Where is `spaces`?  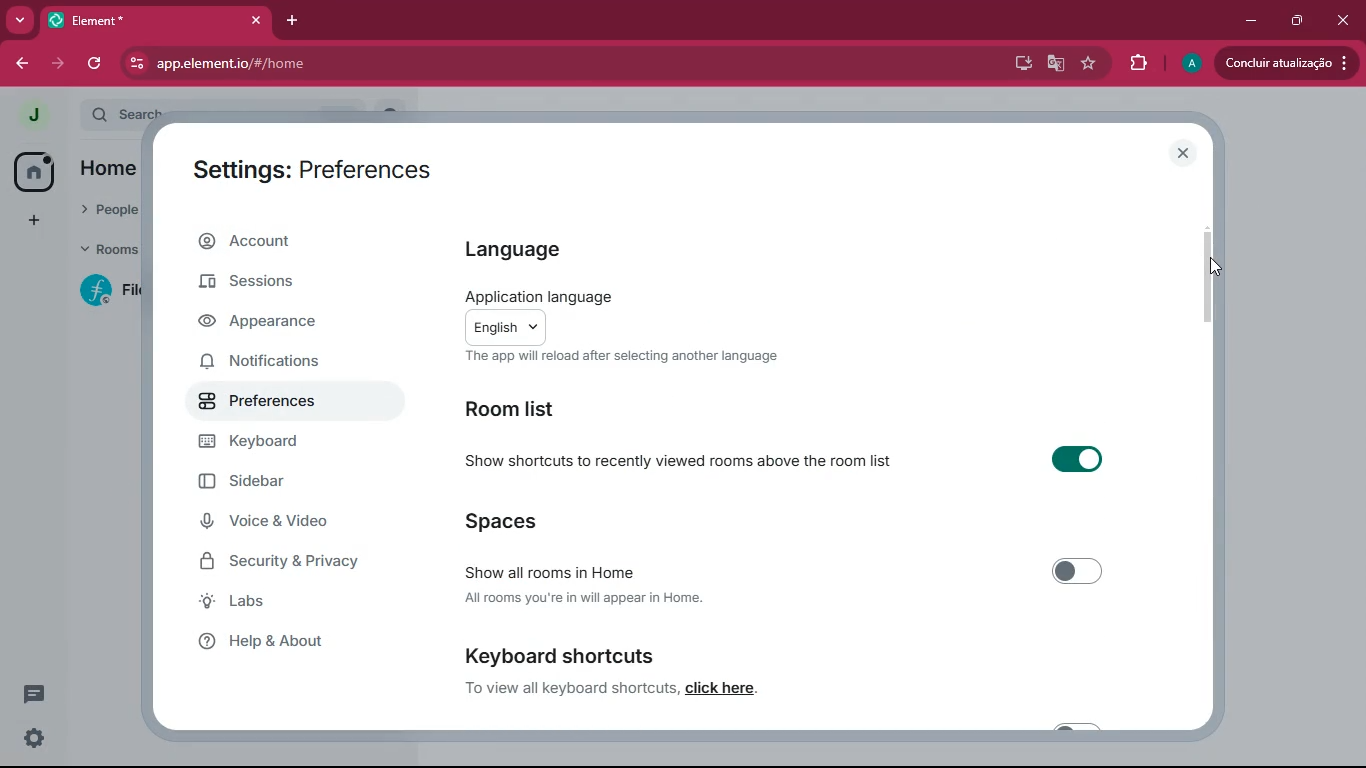
spaces is located at coordinates (523, 524).